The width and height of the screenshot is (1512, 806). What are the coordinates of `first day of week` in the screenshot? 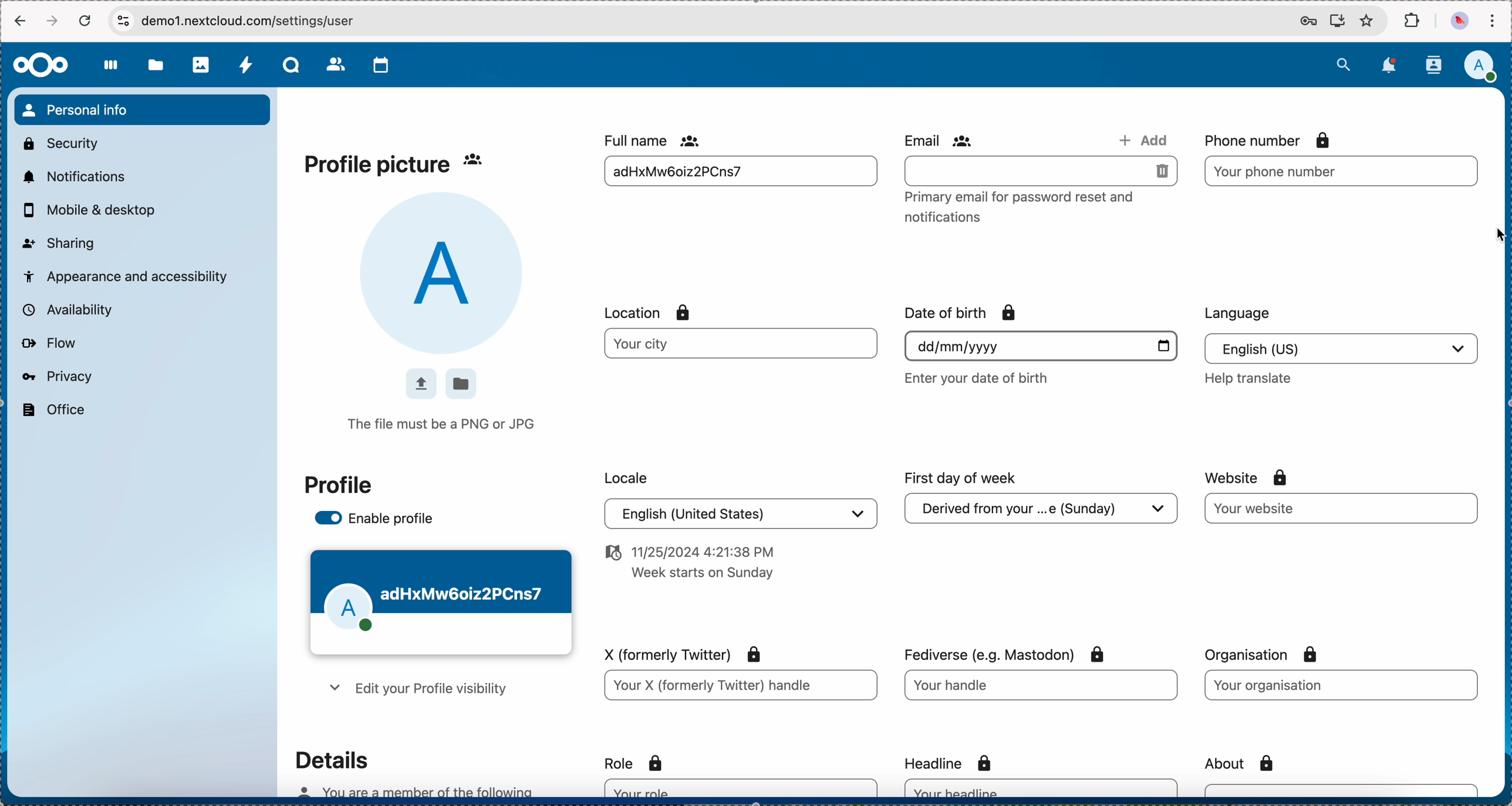 It's located at (961, 479).